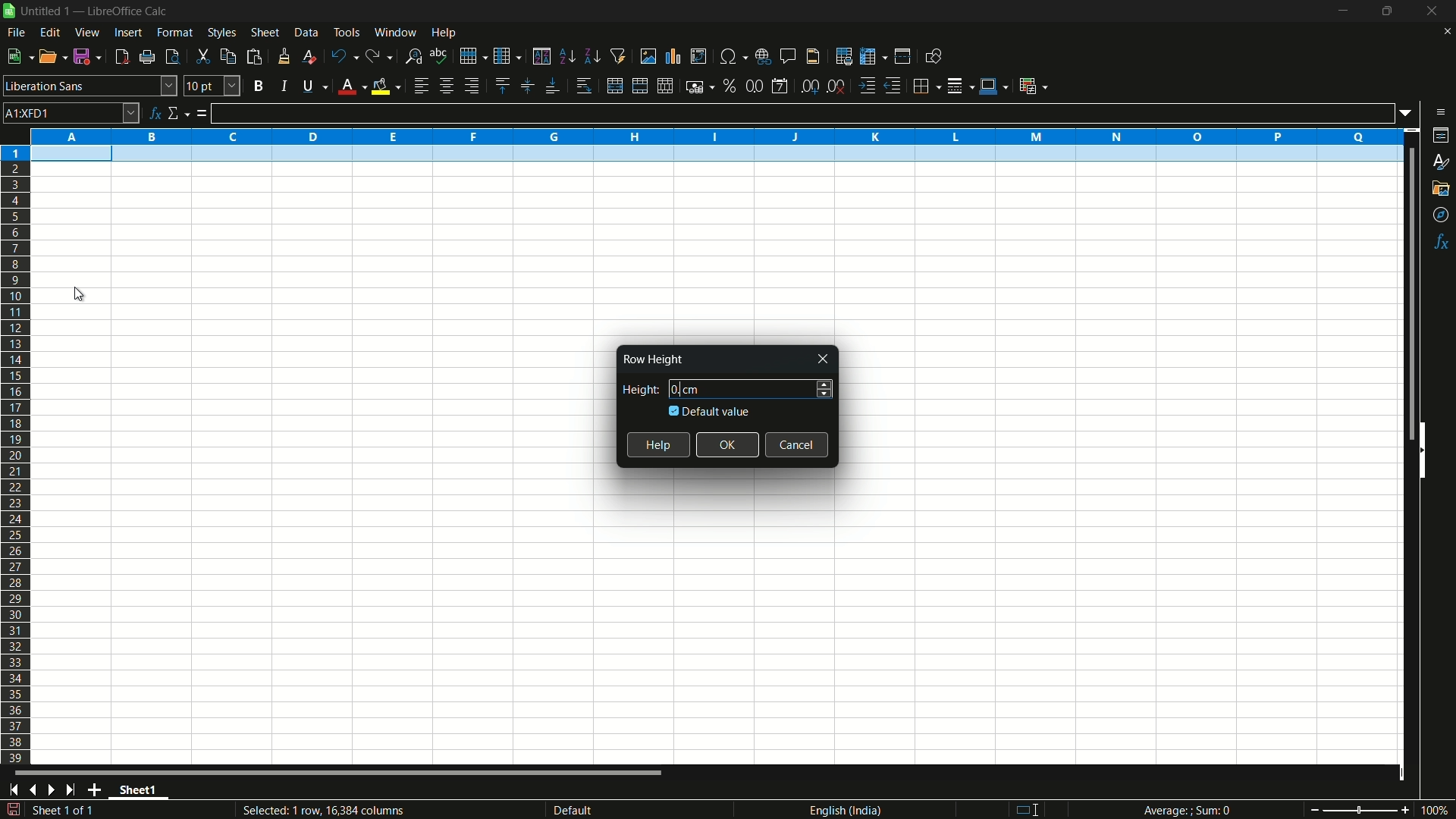 The height and width of the screenshot is (819, 1456). Describe the element at coordinates (147, 58) in the screenshot. I see `print` at that location.